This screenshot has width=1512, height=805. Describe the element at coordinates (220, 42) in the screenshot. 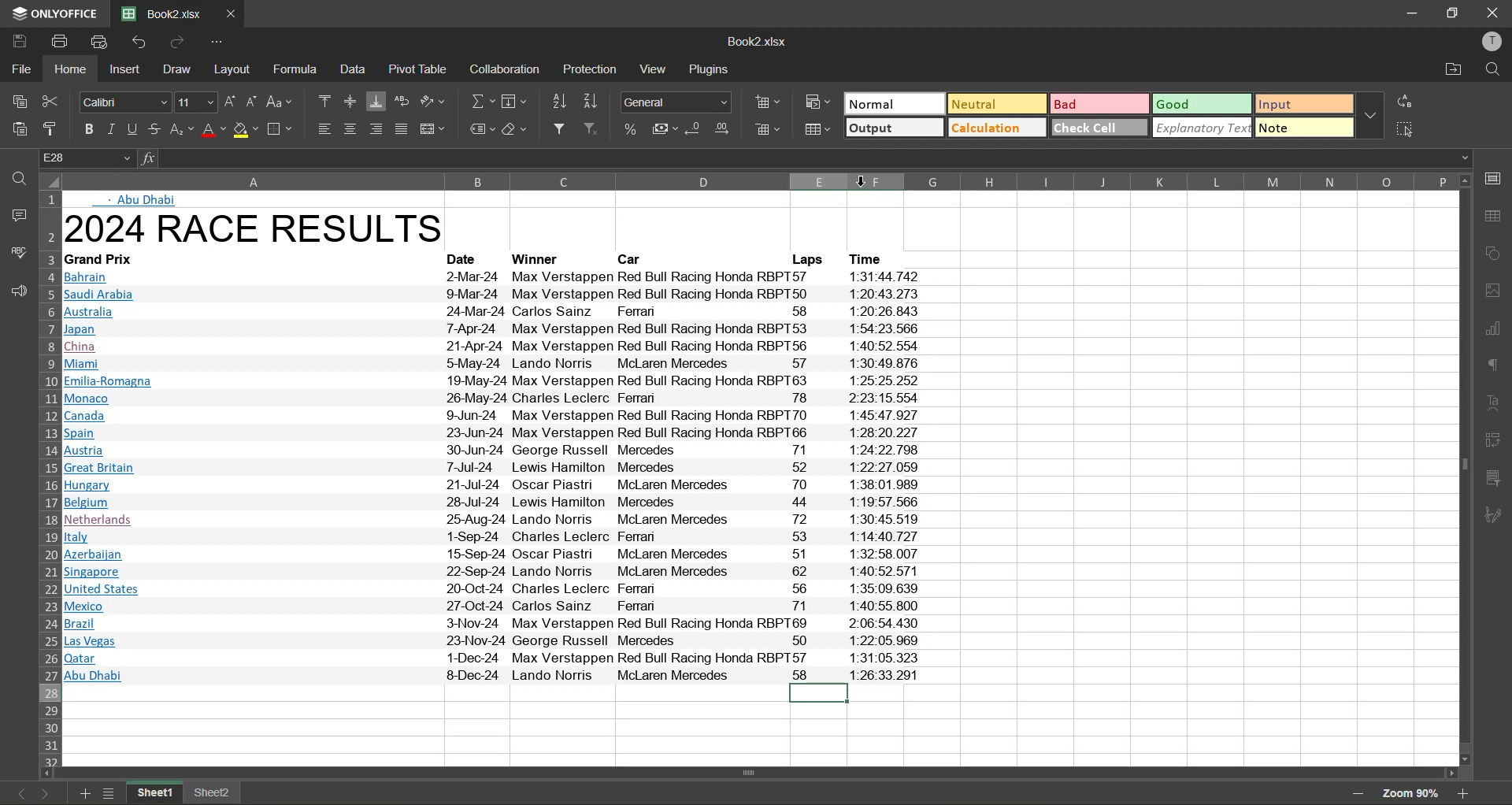

I see `customize quick access toolbar` at that location.